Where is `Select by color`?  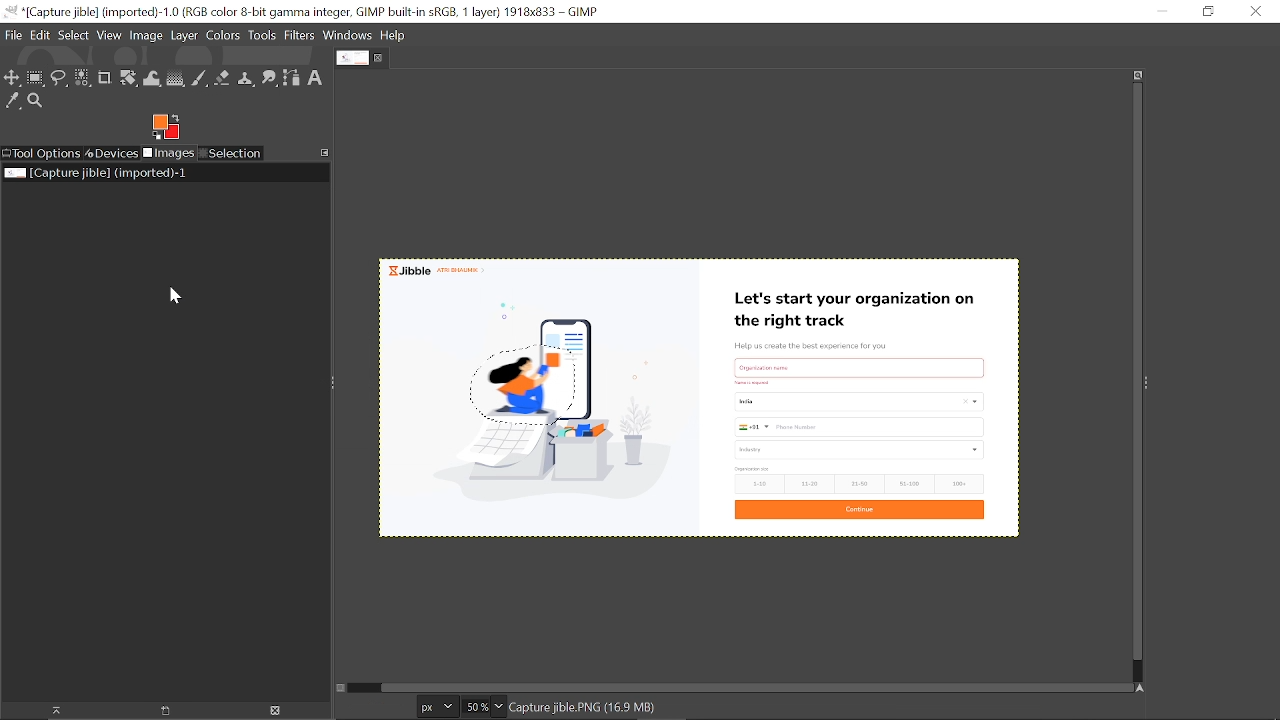
Select by color is located at coordinates (82, 79).